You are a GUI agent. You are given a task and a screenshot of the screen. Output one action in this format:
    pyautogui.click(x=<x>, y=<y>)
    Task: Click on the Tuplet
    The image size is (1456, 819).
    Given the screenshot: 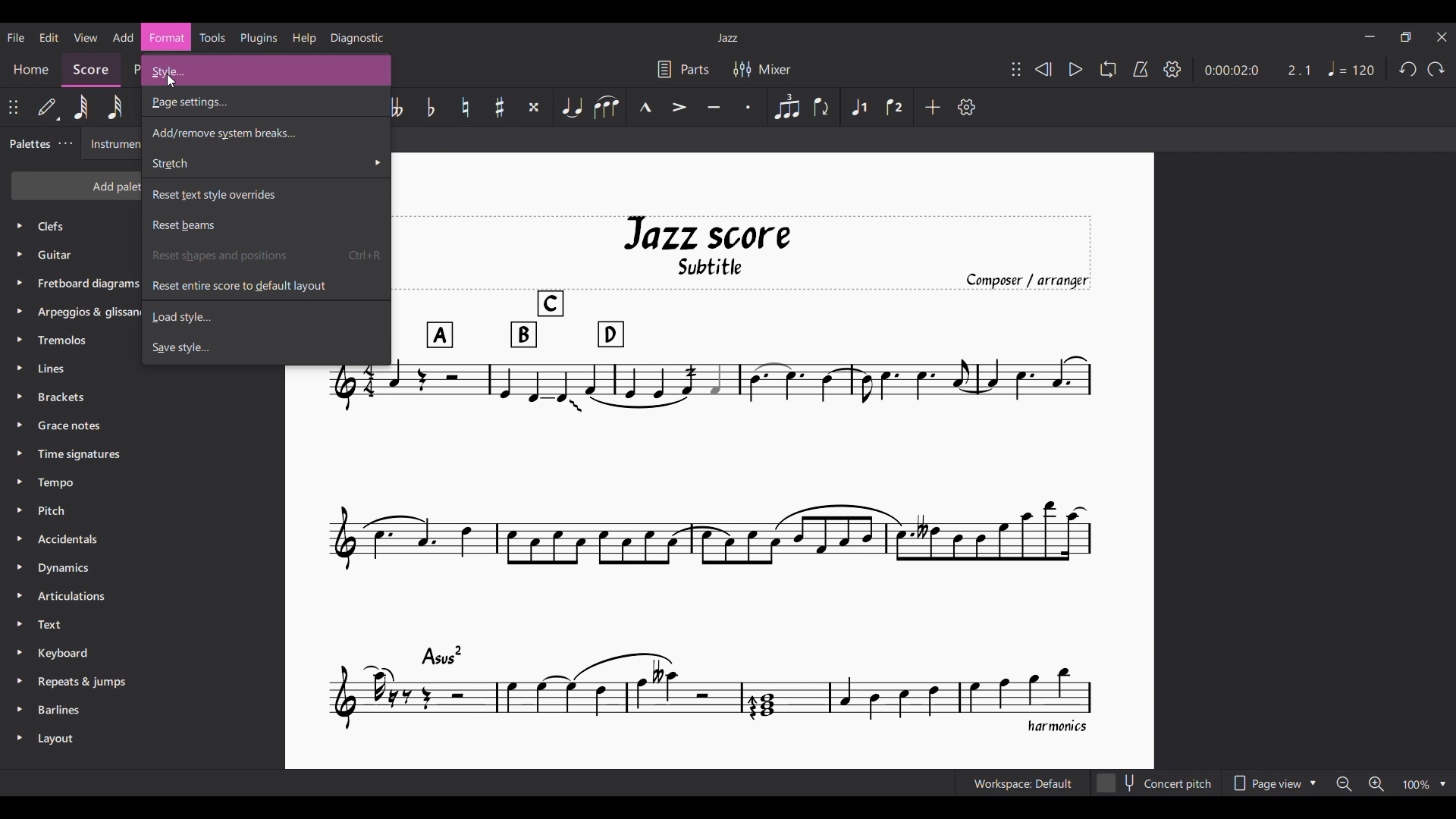 What is the action you would take?
    pyautogui.click(x=788, y=107)
    